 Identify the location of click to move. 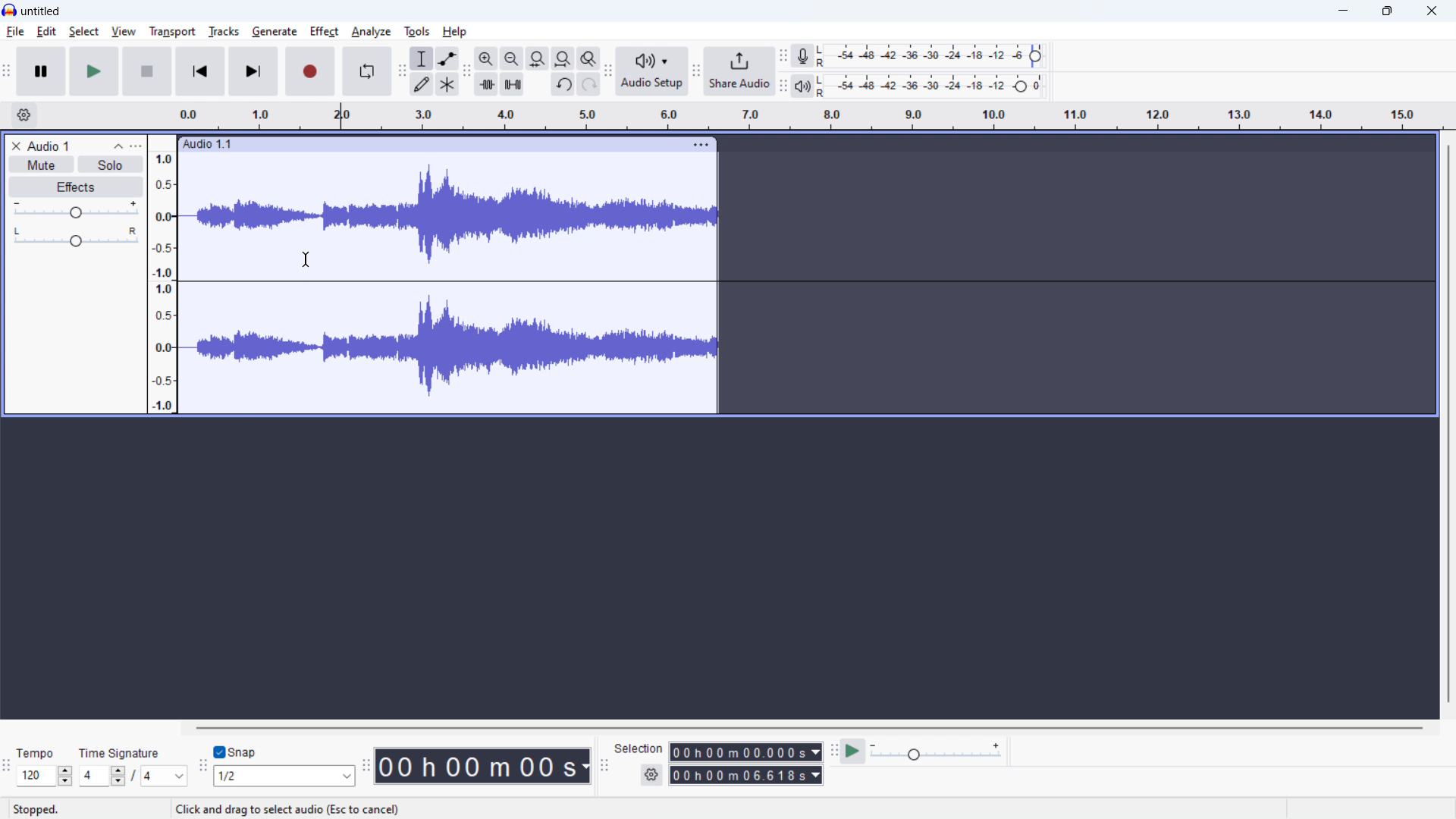
(431, 144).